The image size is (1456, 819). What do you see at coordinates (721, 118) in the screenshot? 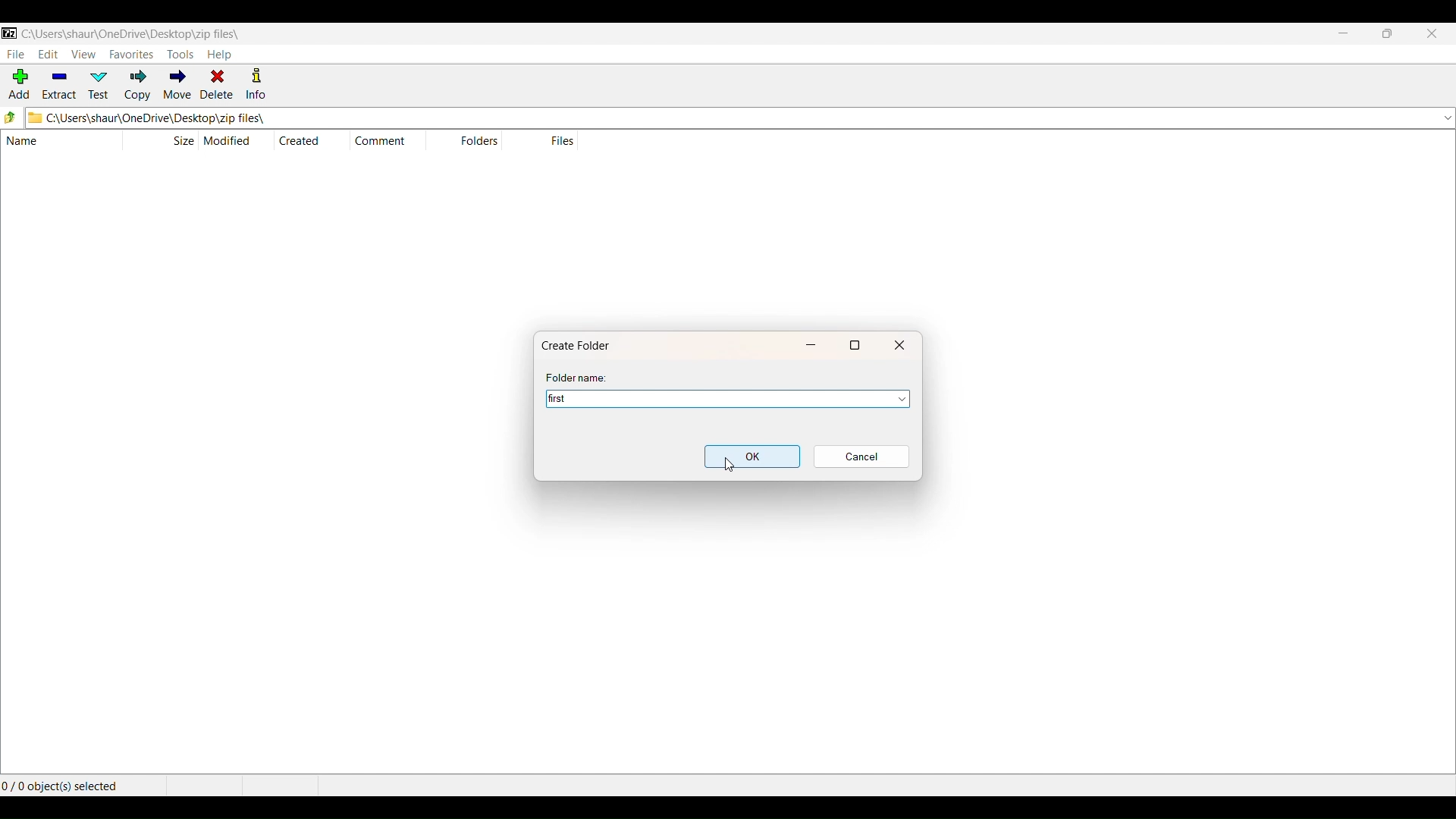
I see `CURRENT FOLDER PATH` at bounding box center [721, 118].